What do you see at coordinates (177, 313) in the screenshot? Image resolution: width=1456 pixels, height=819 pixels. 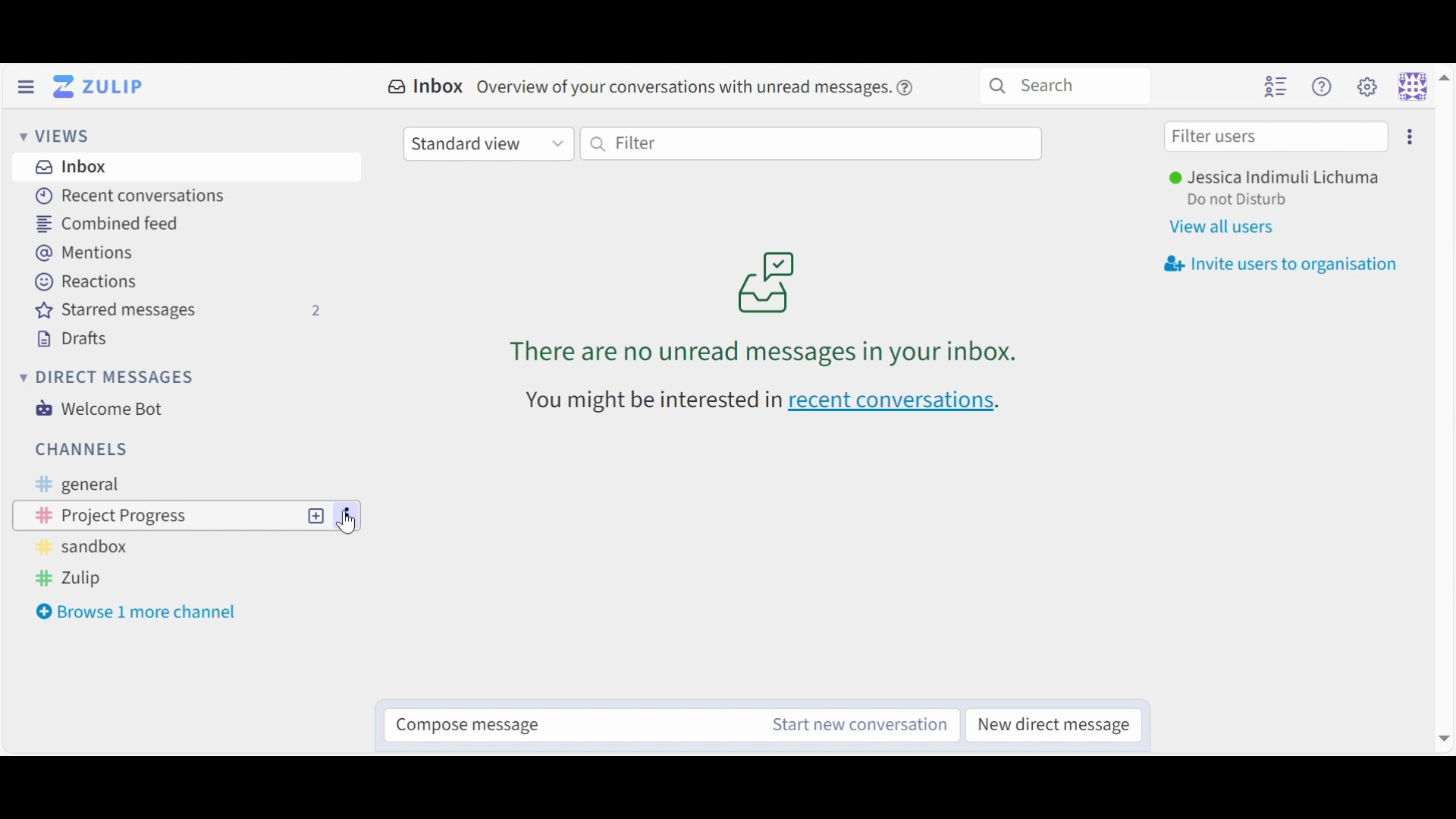 I see `Starred messages` at bounding box center [177, 313].